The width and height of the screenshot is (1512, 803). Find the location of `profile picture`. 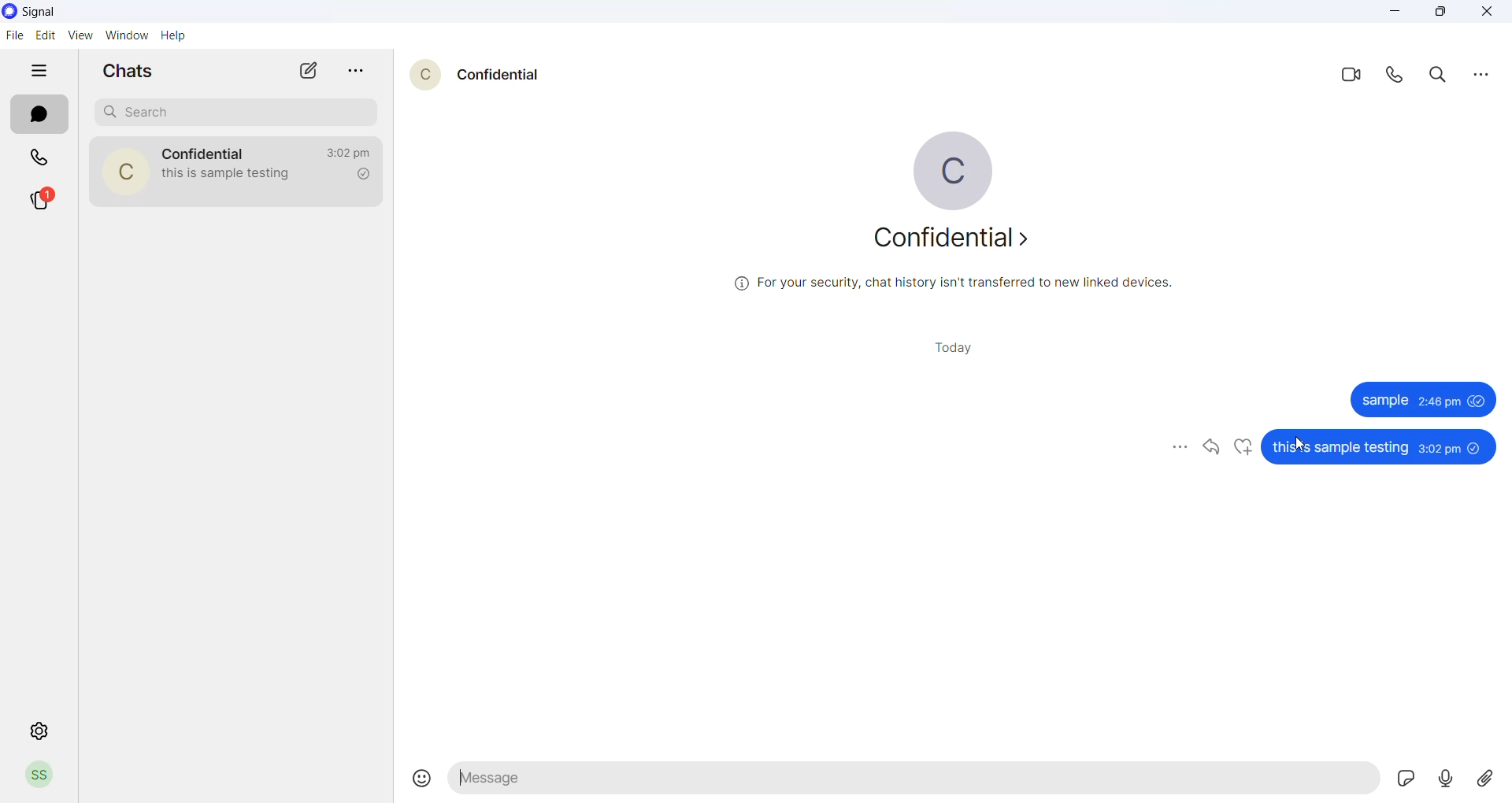

profile picture is located at coordinates (955, 168).